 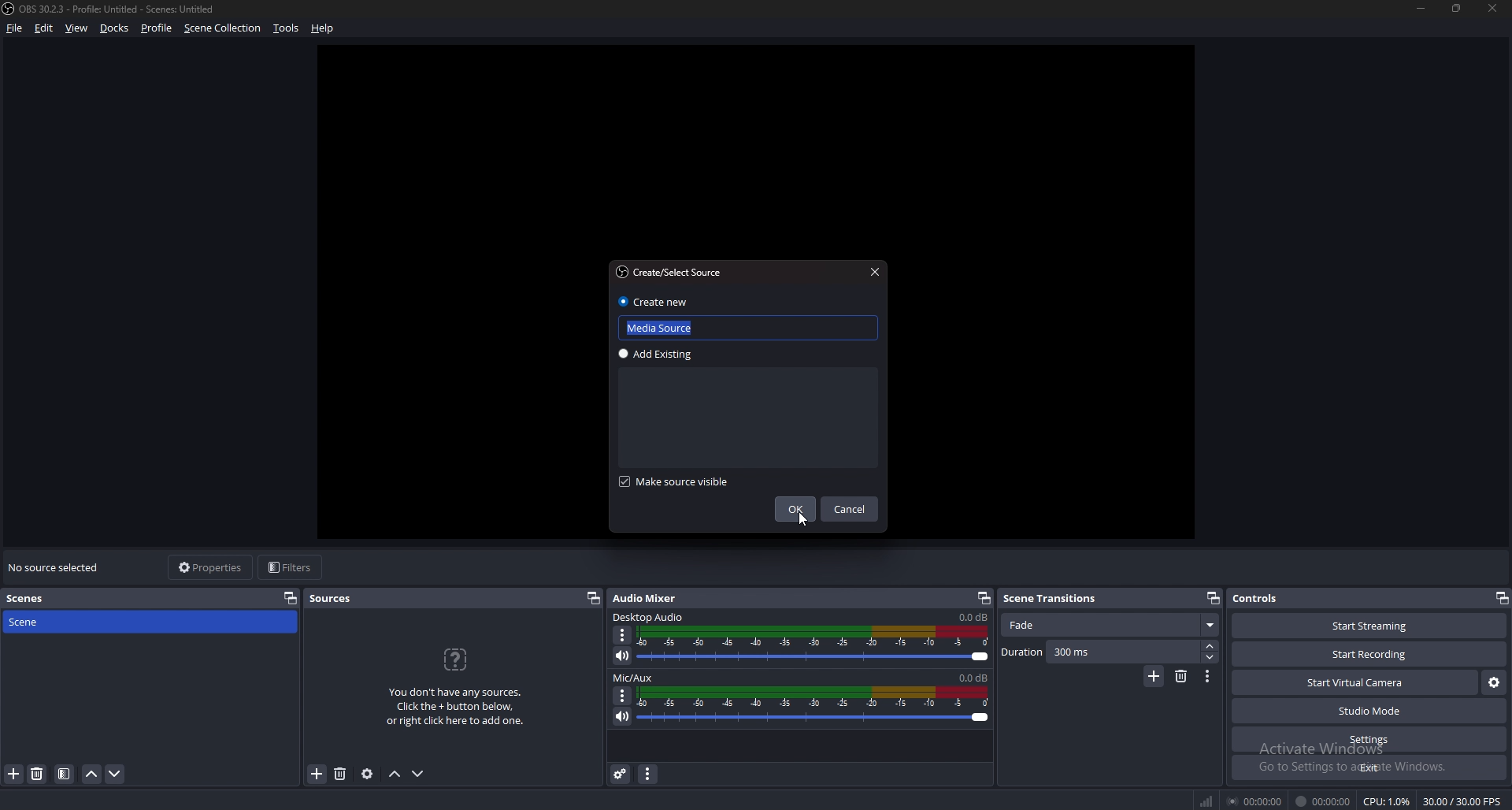 What do you see at coordinates (1058, 599) in the screenshot?
I see `Scene transitions` at bounding box center [1058, 599].